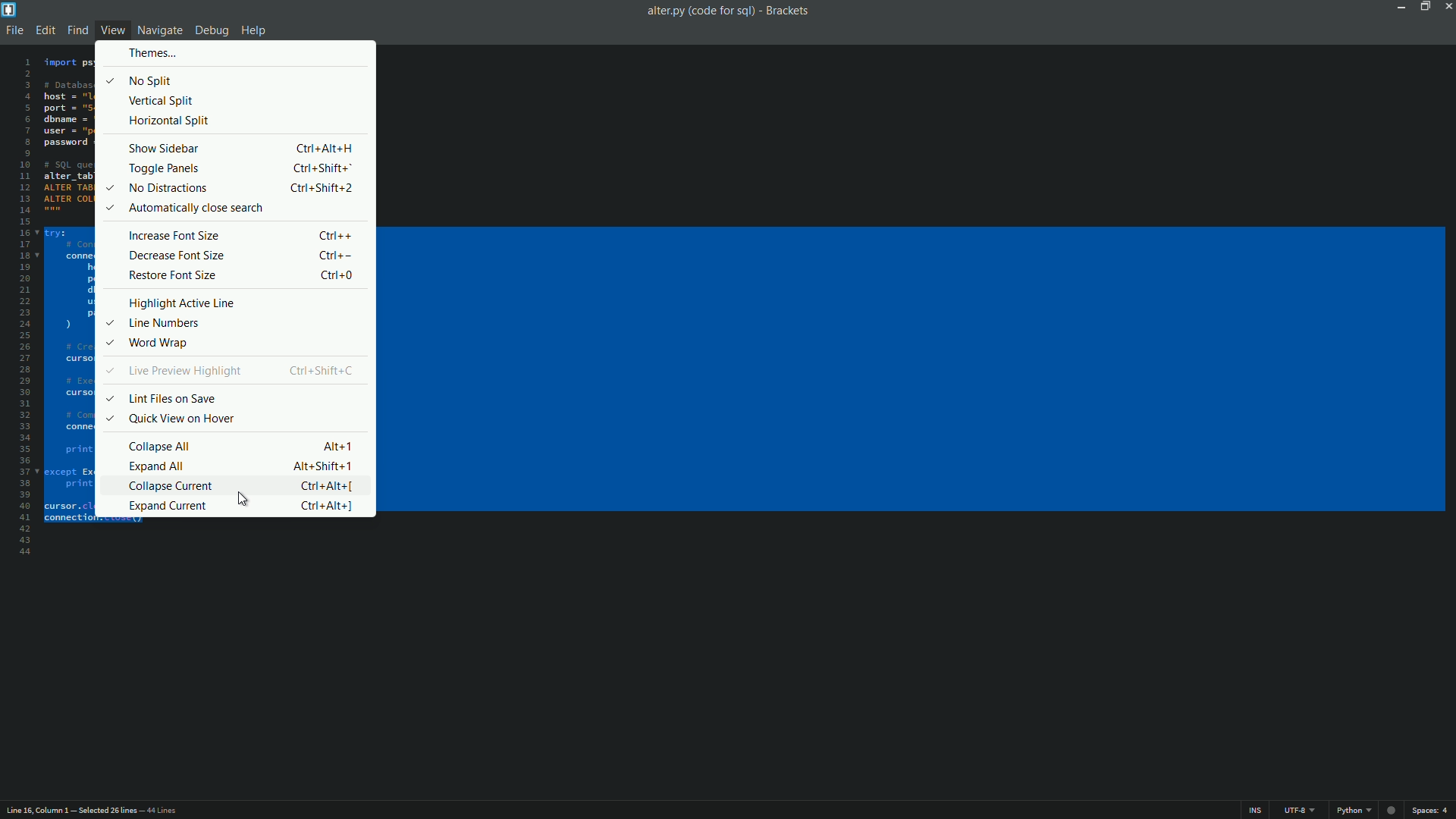 Image resolution: width=1456 pixels, height=819 pixels. I want to click on quick view on hover, so click(180, 419).